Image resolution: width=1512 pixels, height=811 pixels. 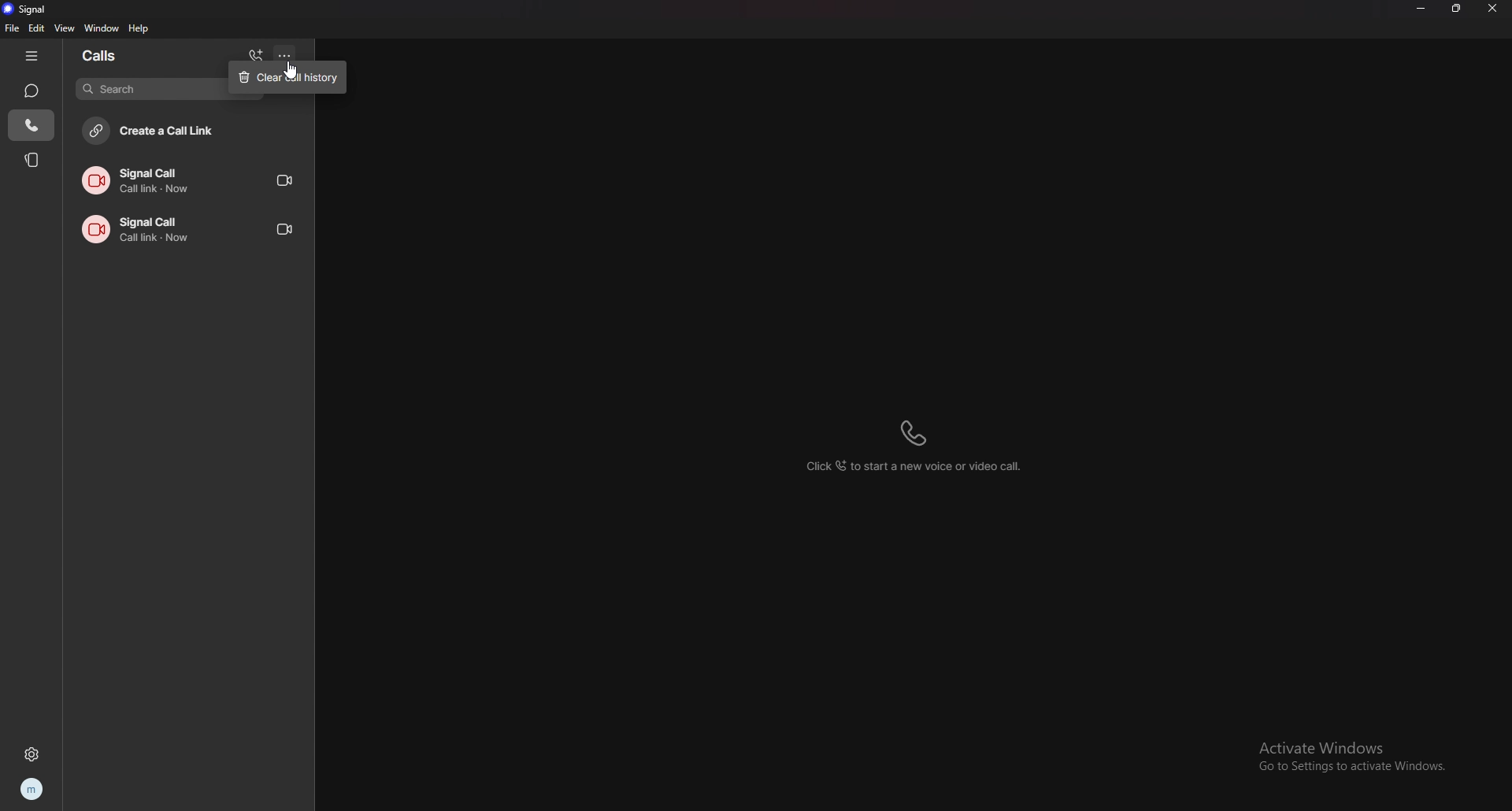 I want to click on calls, so click(x=121, y=55).